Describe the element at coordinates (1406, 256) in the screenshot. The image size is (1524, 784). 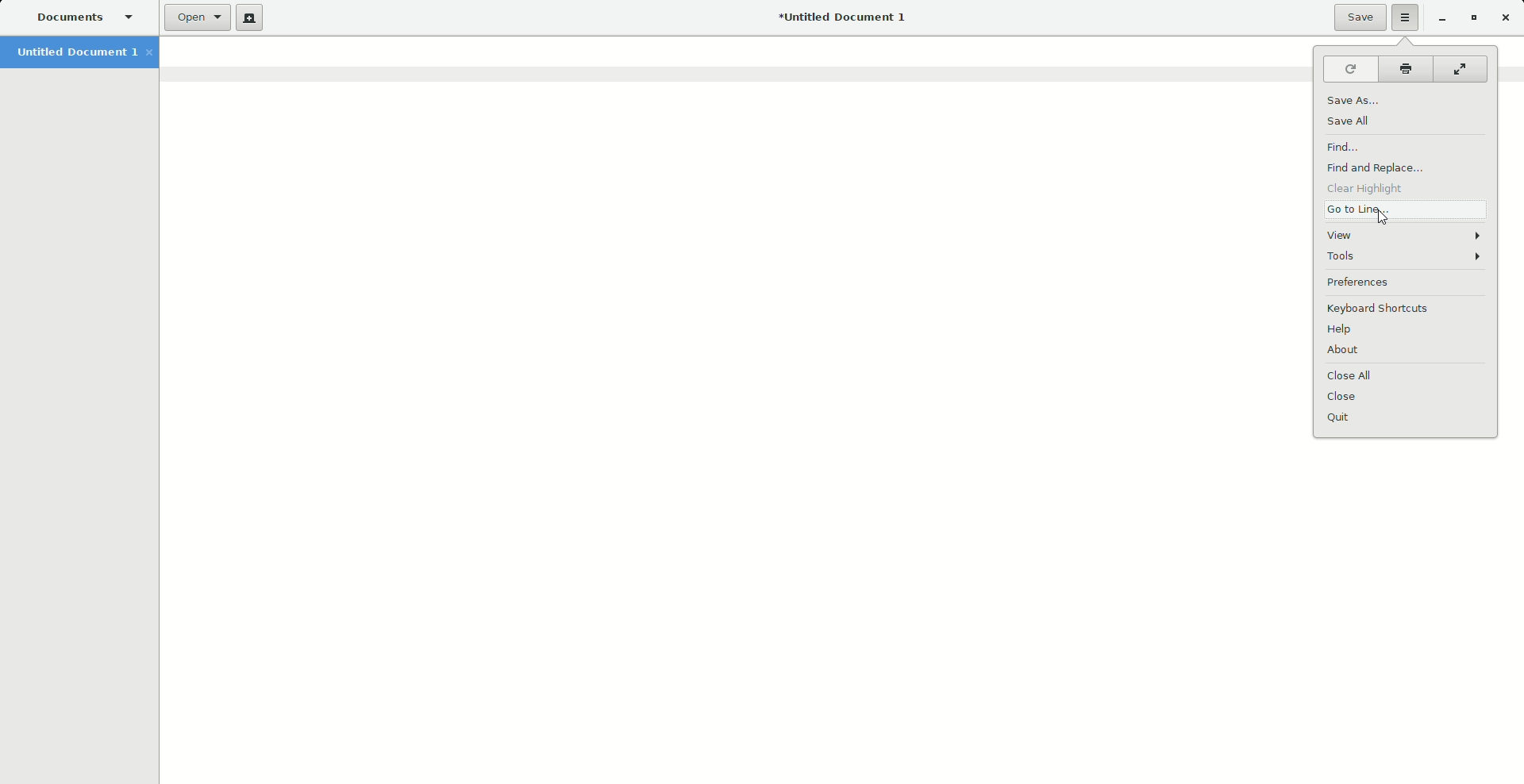
I see `Tools` at that location.